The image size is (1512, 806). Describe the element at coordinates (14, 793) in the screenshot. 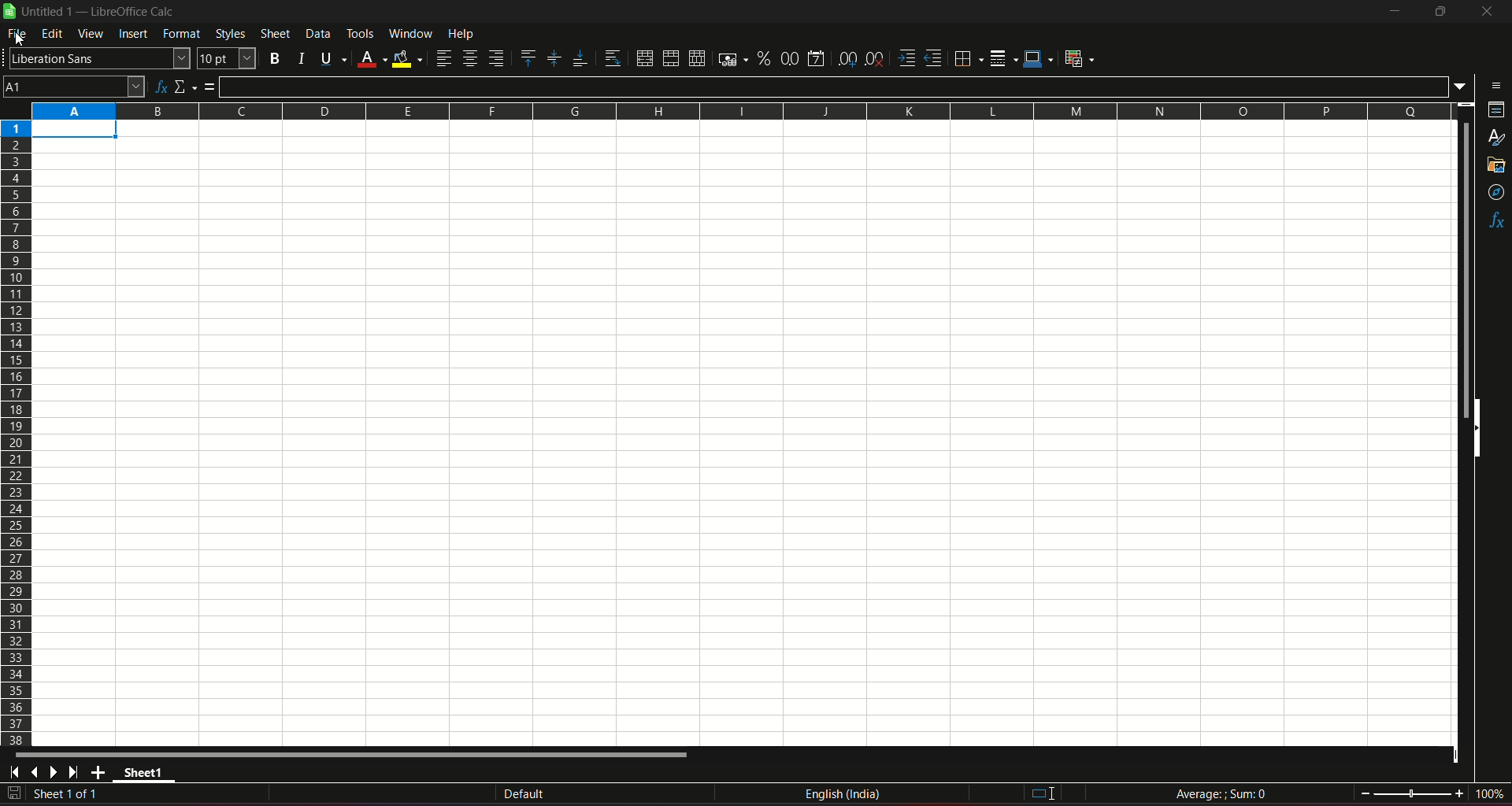

I see `save` at that location.